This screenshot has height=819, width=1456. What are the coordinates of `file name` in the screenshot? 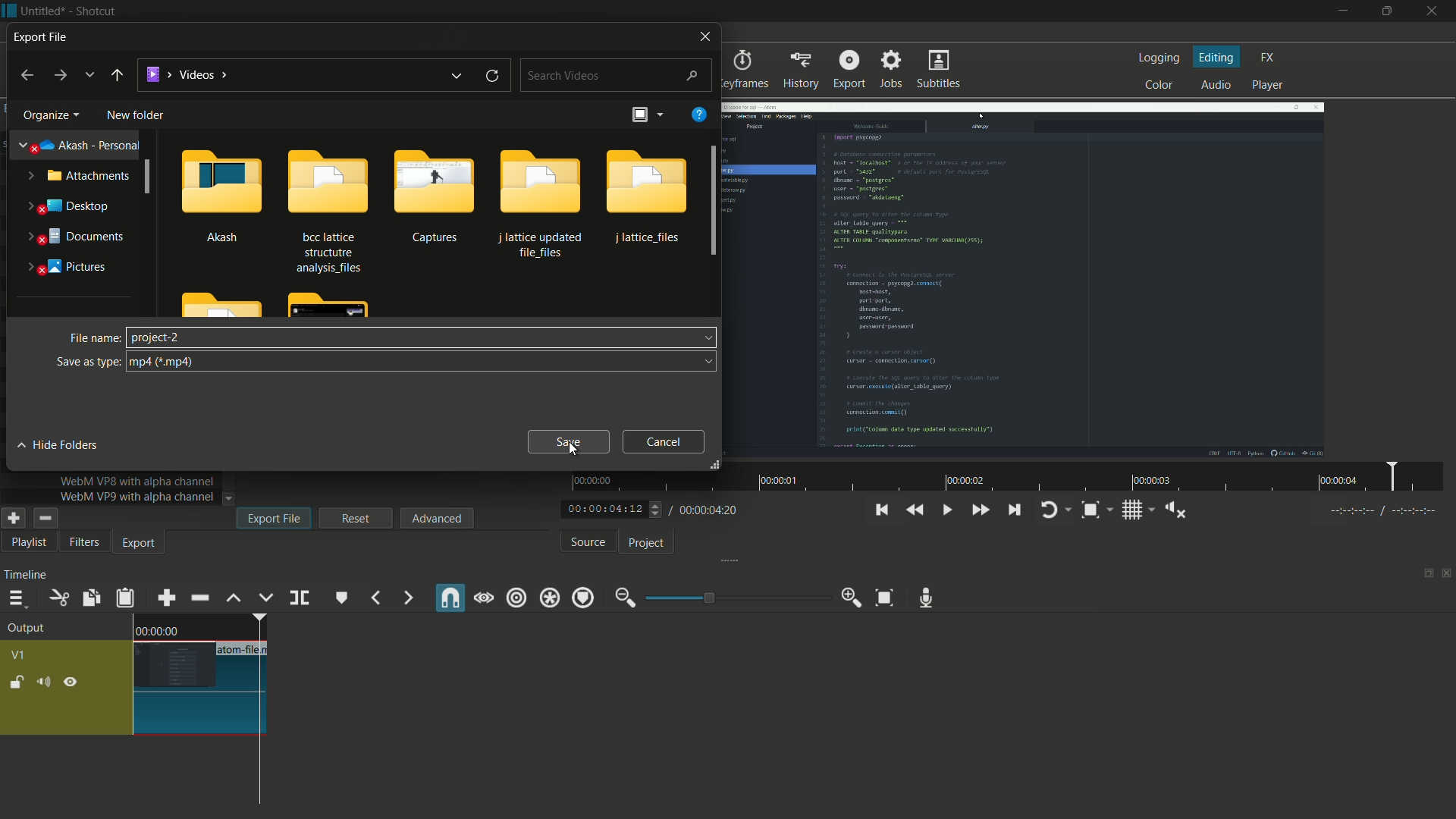 It's located at (95, 337).